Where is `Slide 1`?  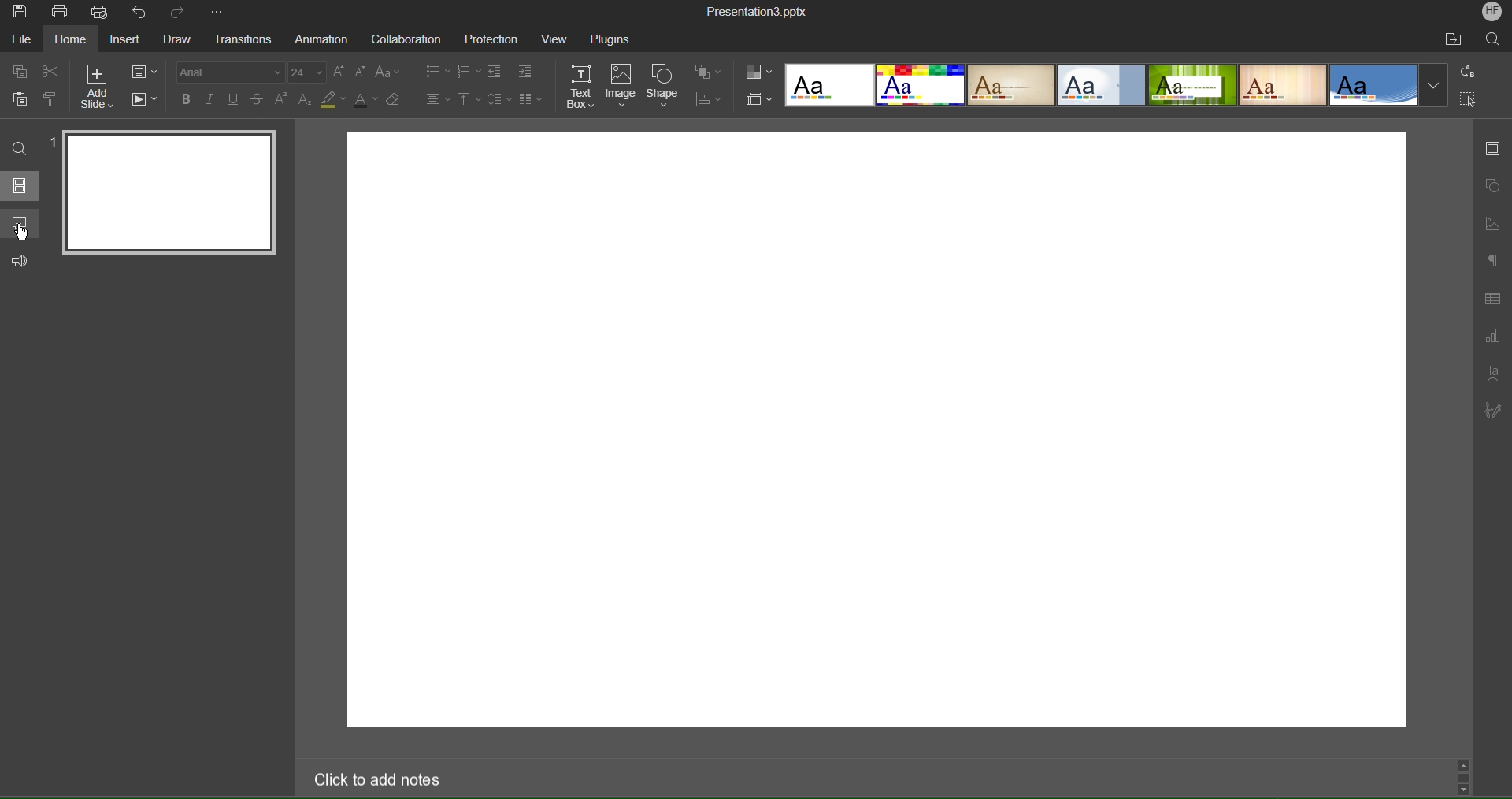 Slide 1 is located at coordinates (166, 194).